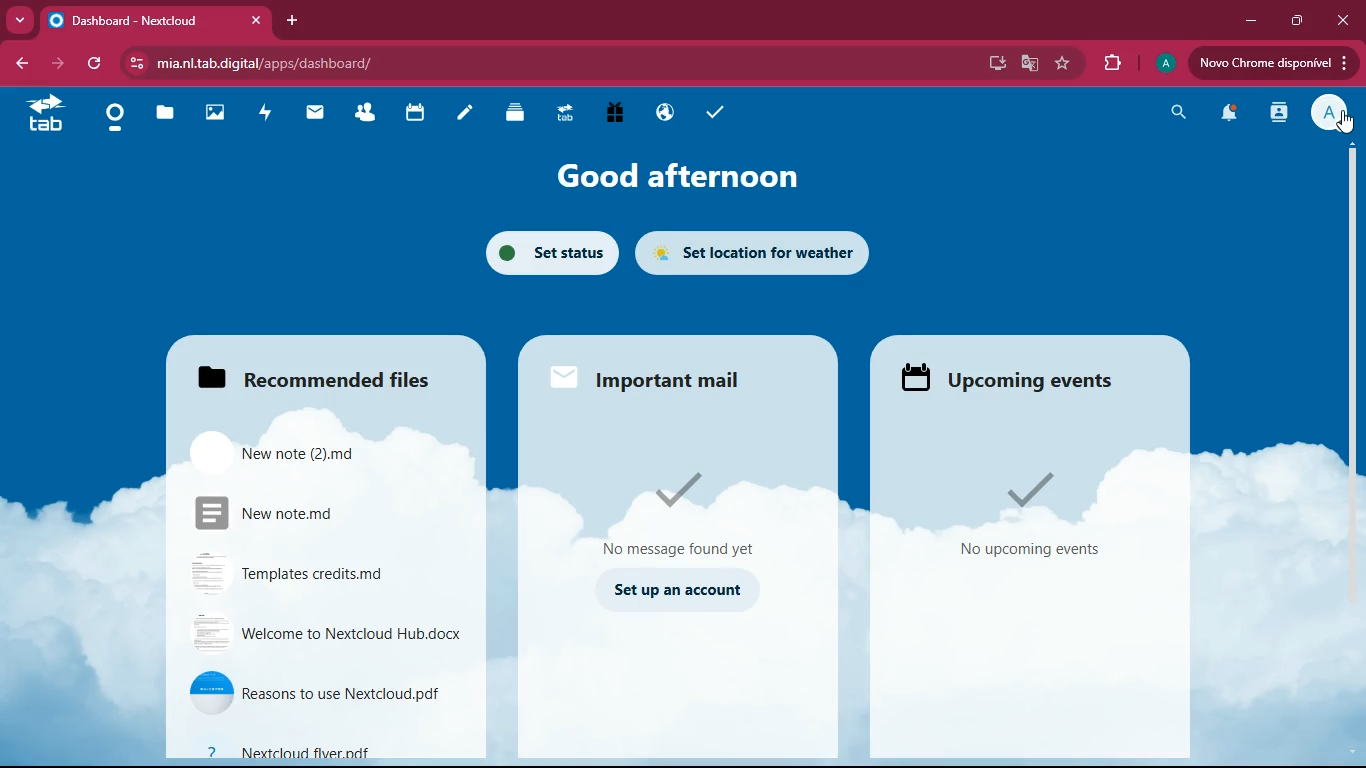 The width and height of the screenshot is (1366, 768). I want to click on notes, so click(458, 115).